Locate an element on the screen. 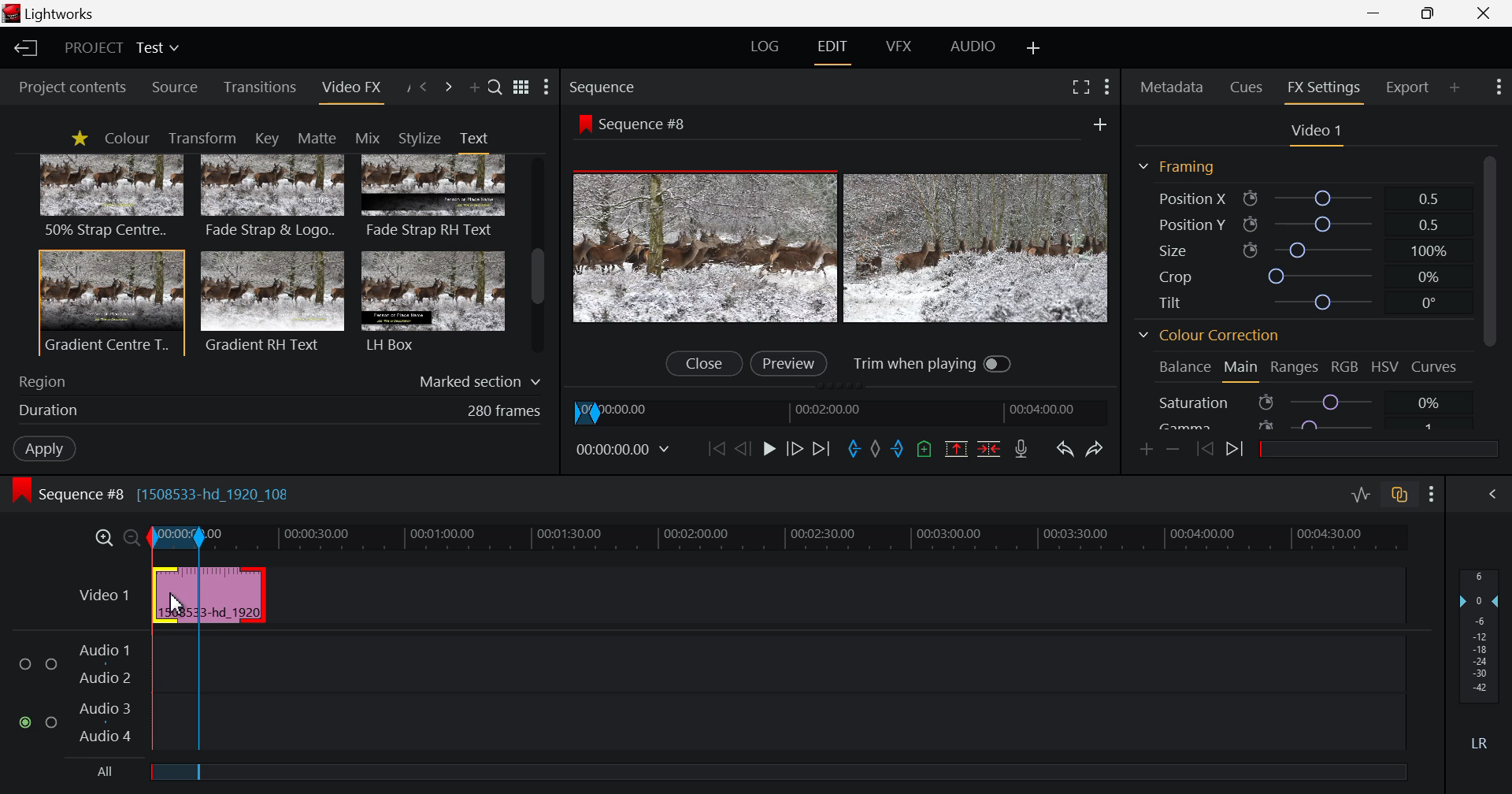  Go Forward is located at coordinates (793, 447).